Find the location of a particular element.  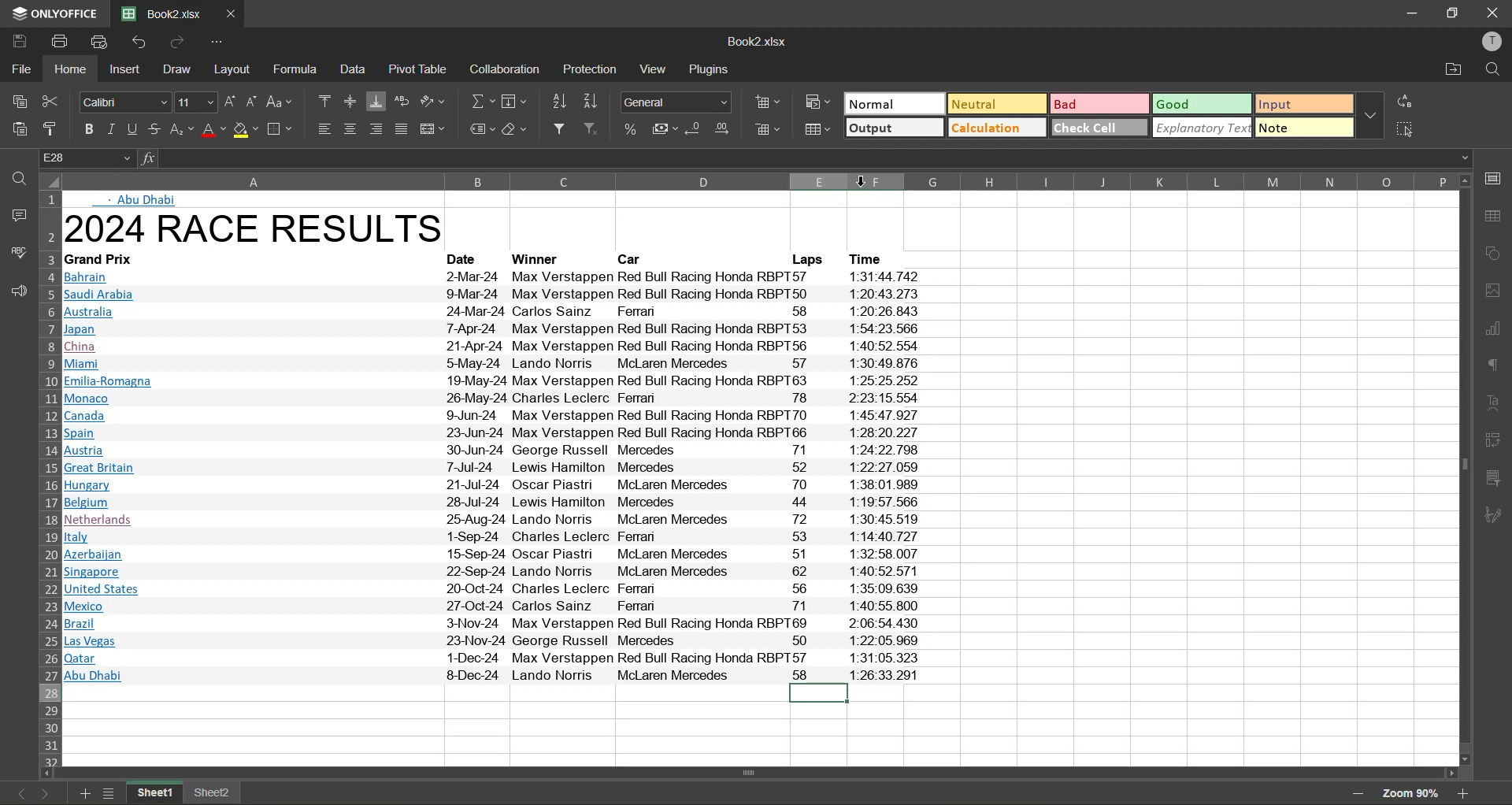

borders is located at coordinates (283, 129).